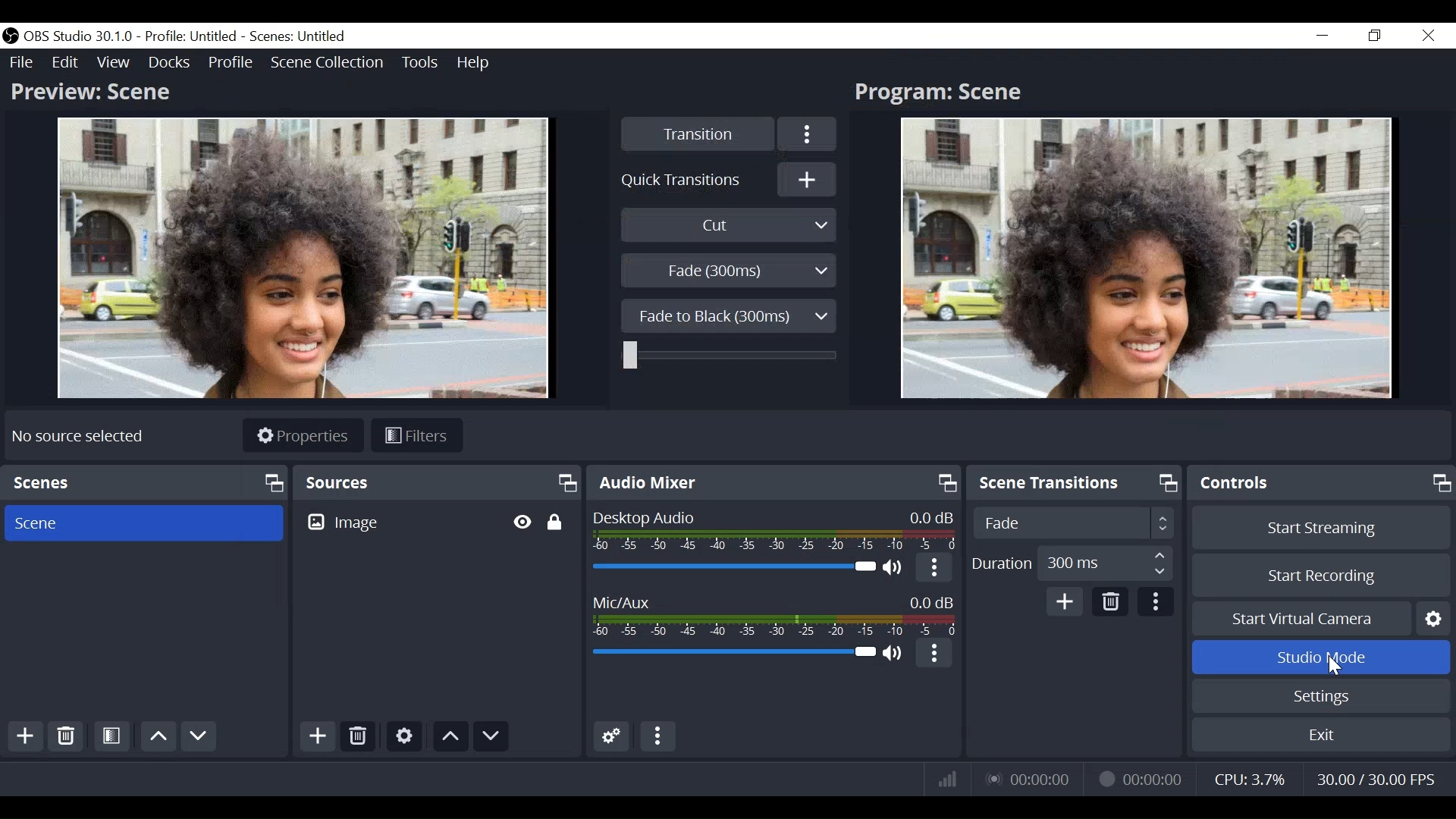 Image resolution: width=1456 pixels, height=819 pixels. Describe the element at coordinates (896, 656) in the screenshot. I see `(un)mute` at that location.